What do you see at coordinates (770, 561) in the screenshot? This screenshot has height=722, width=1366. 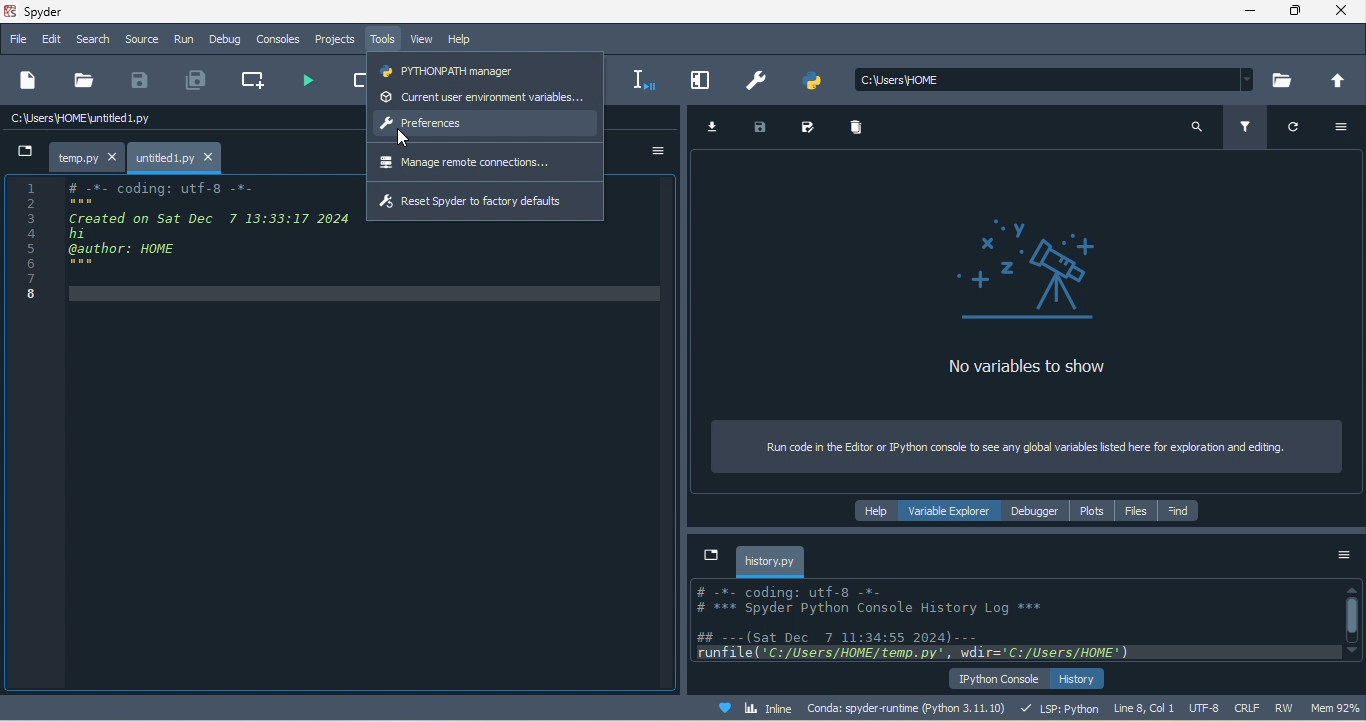 I see `history.py tab` at bounding box center [770, 561].